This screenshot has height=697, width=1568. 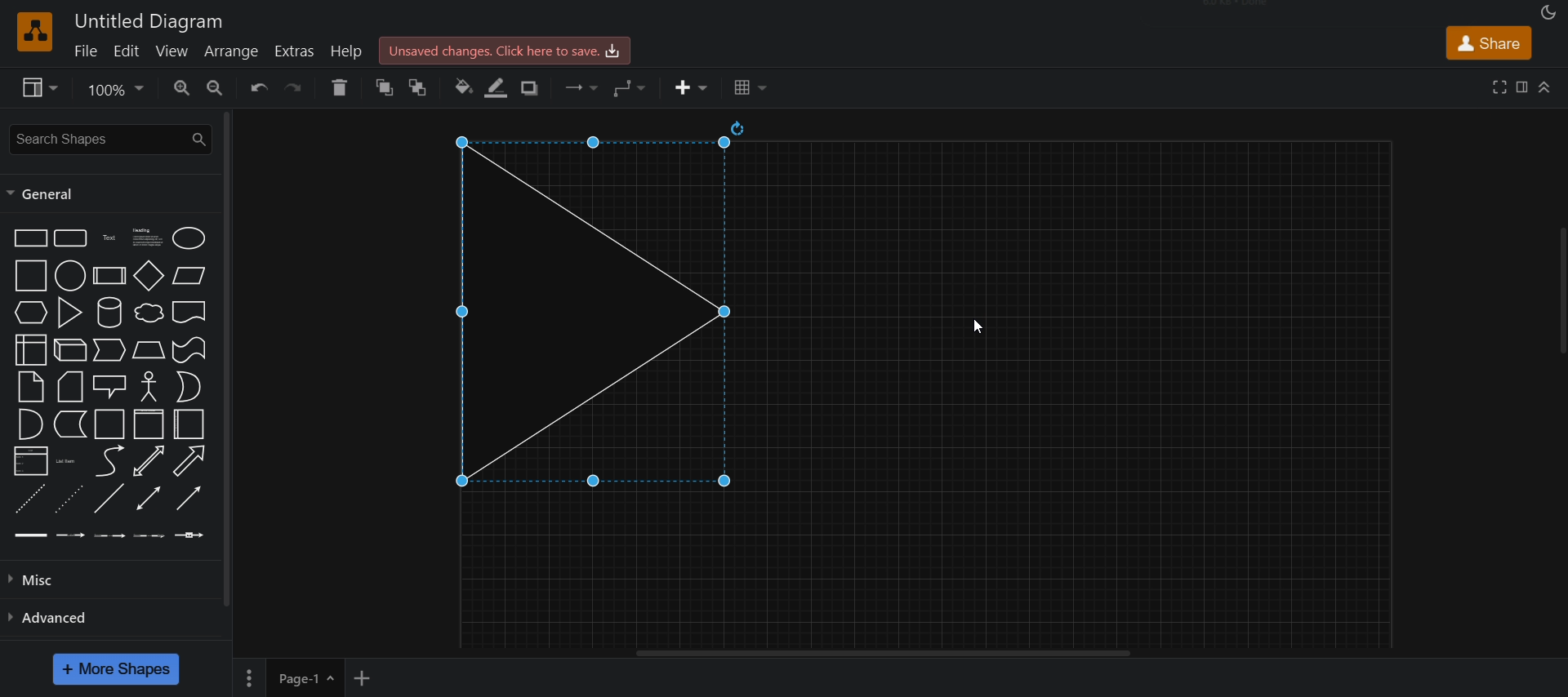 I want to click on appearance, so click(x=1546, y=12).